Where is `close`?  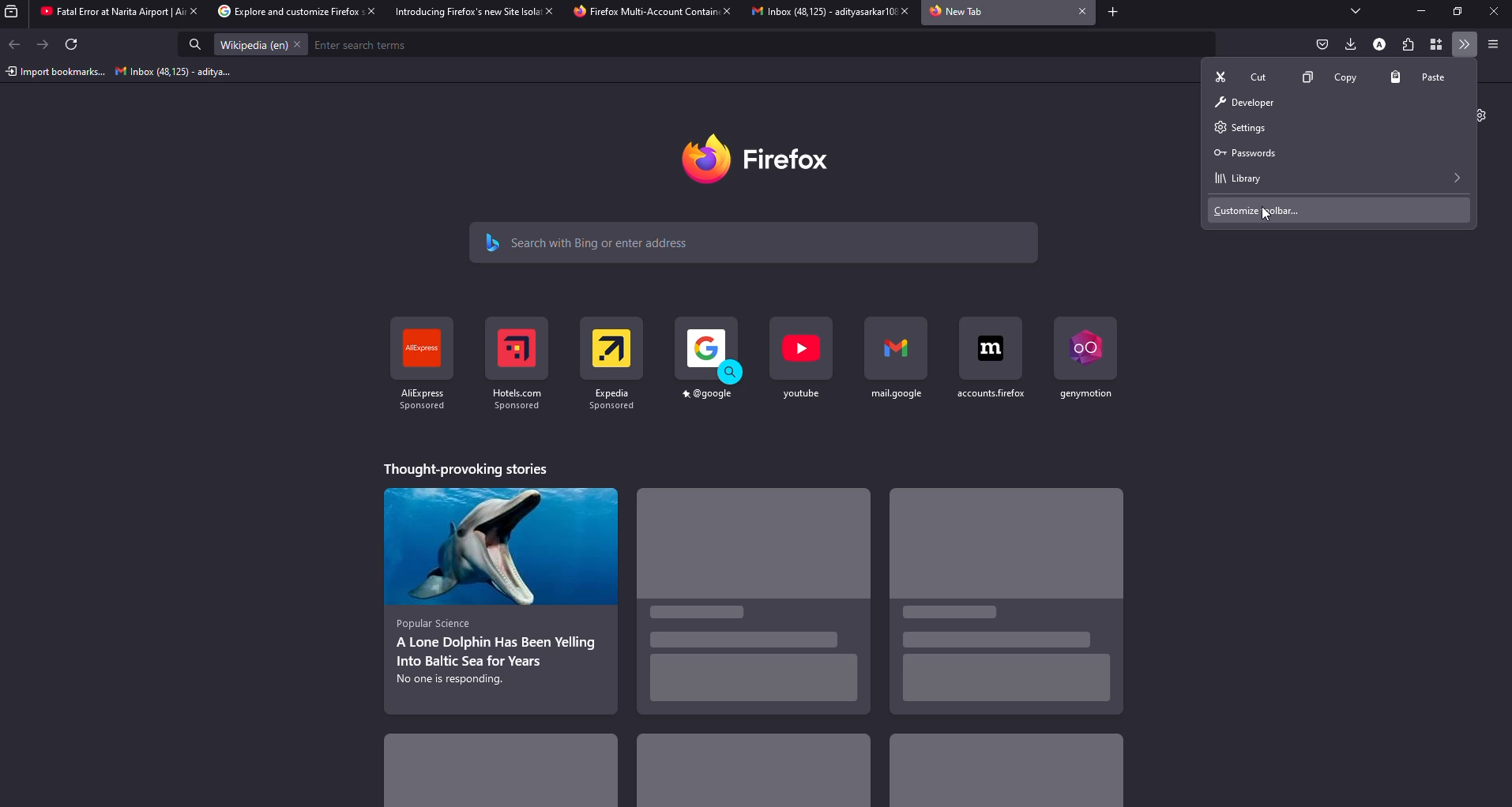 close is located at coordinates (367, 12).